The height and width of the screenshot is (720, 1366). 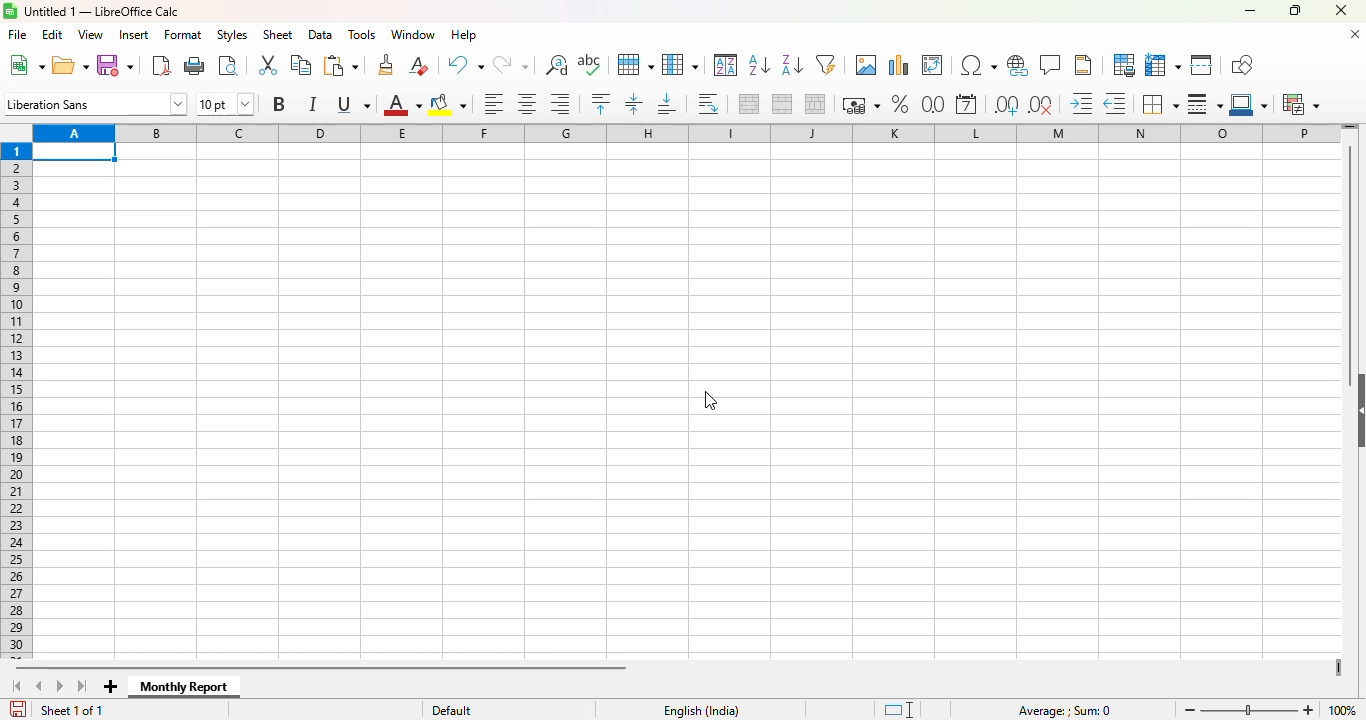 What do you see at coordinates (600, 102) in the screenshot?
I see `align top` at bounding box center [600, 102].